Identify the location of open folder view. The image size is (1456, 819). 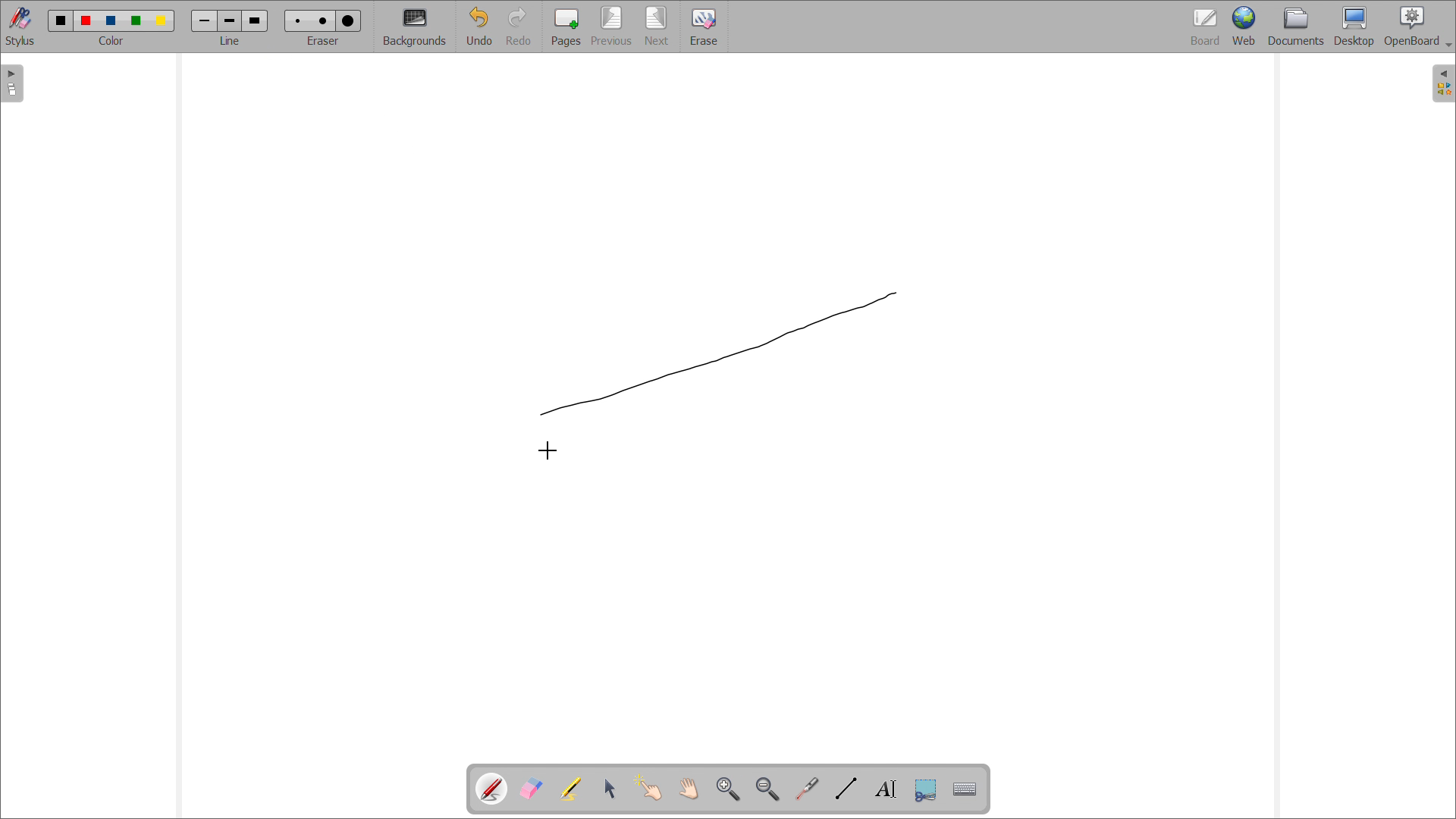
(1443, 83).